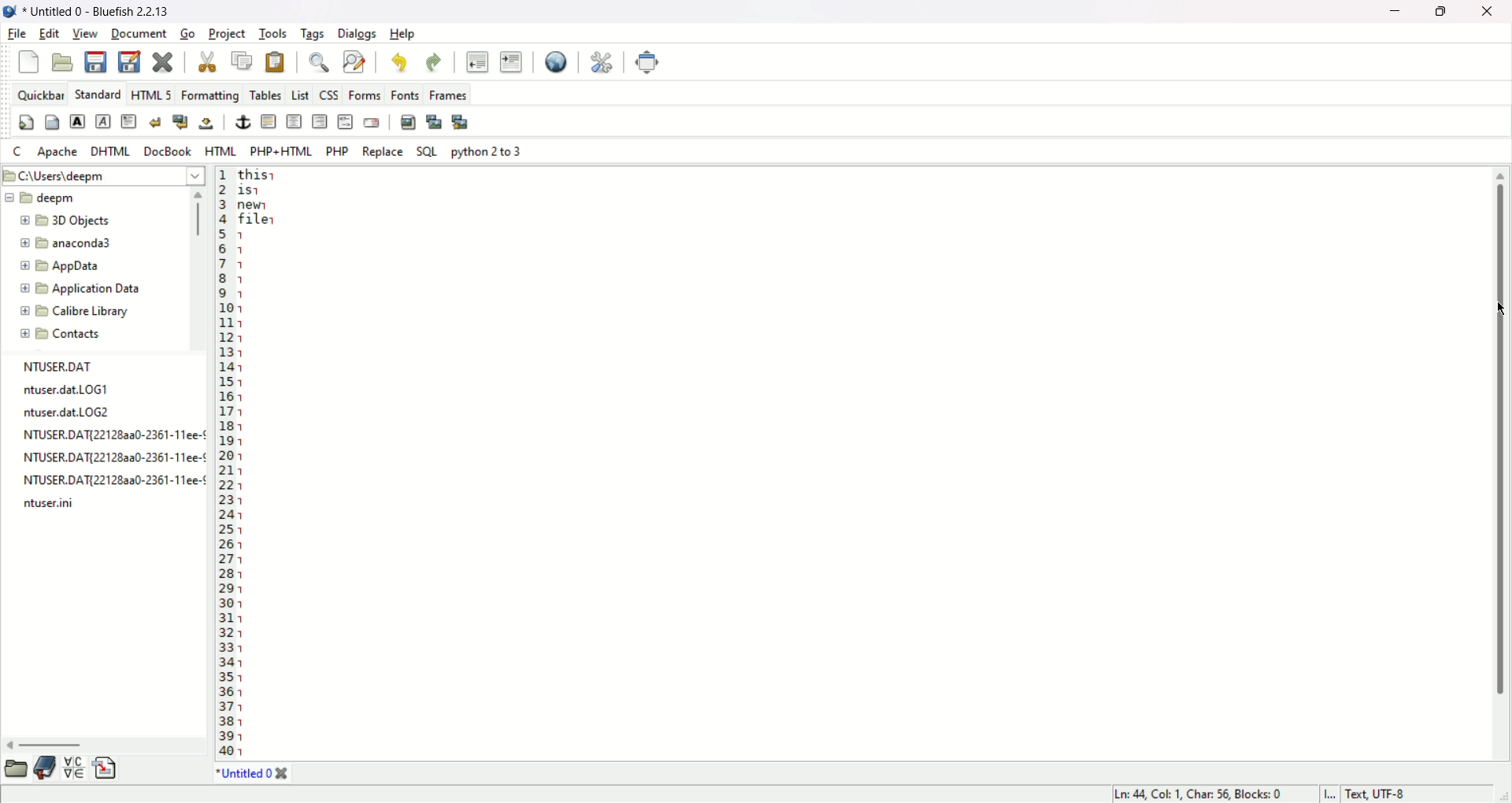  Describe the element at coordinates (155, 121) in the screenshot. I see `break` at that location.